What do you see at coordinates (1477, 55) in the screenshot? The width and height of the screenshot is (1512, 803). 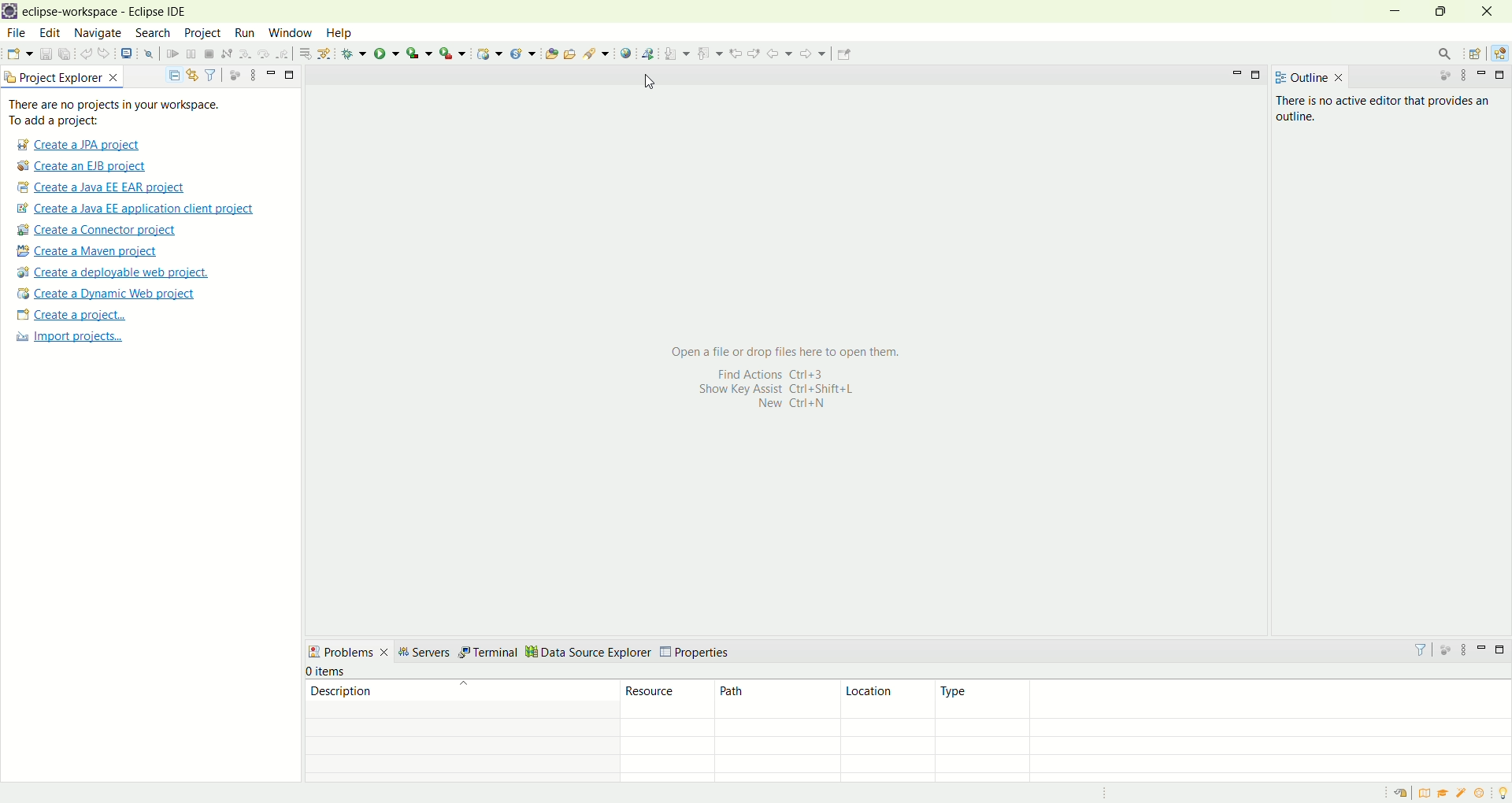 I see `open perspective` at bounding box center [1477, 55].